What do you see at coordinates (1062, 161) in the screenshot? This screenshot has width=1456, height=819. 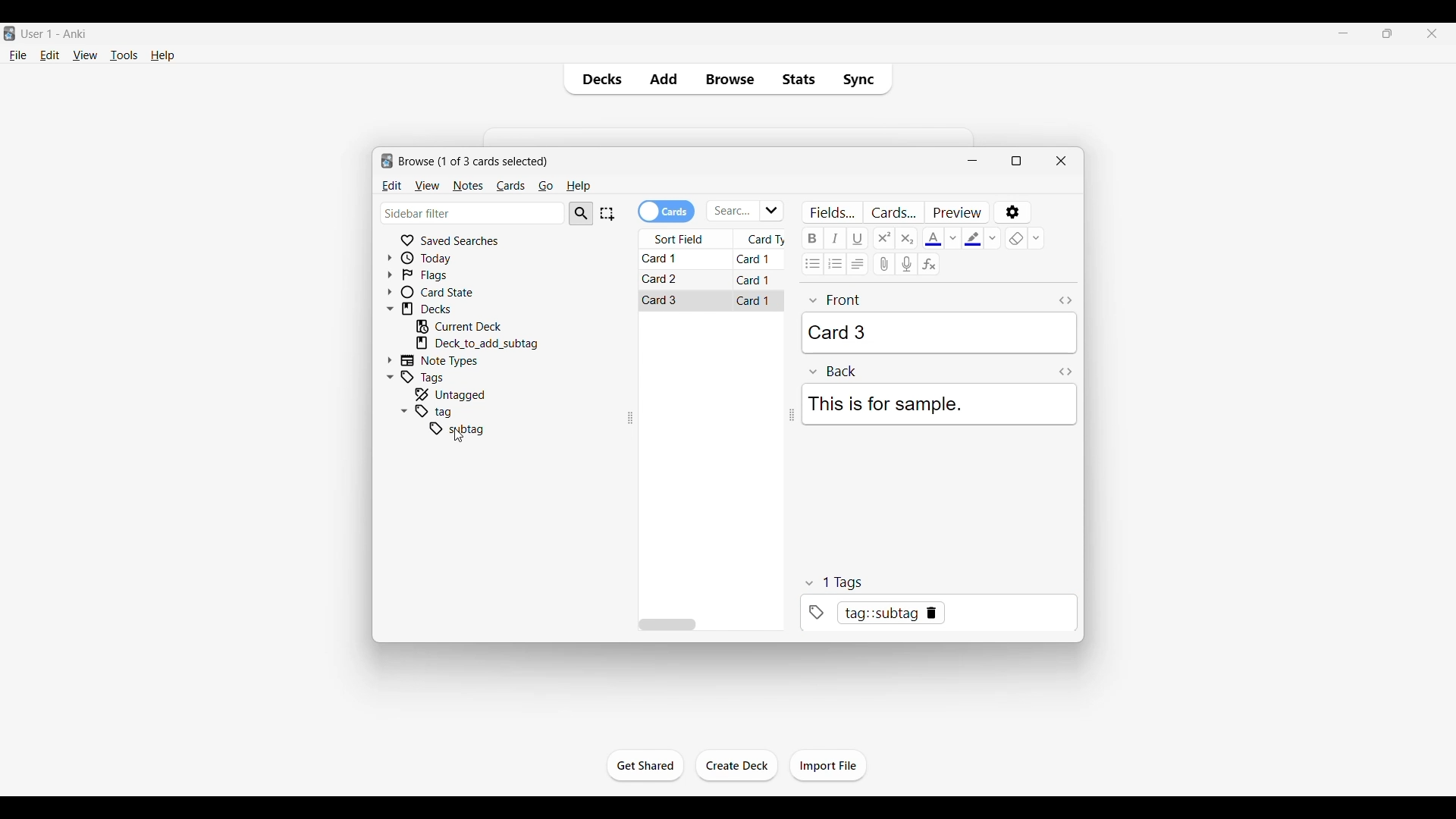 I see `Close window` at bounding box center [1062, 161].